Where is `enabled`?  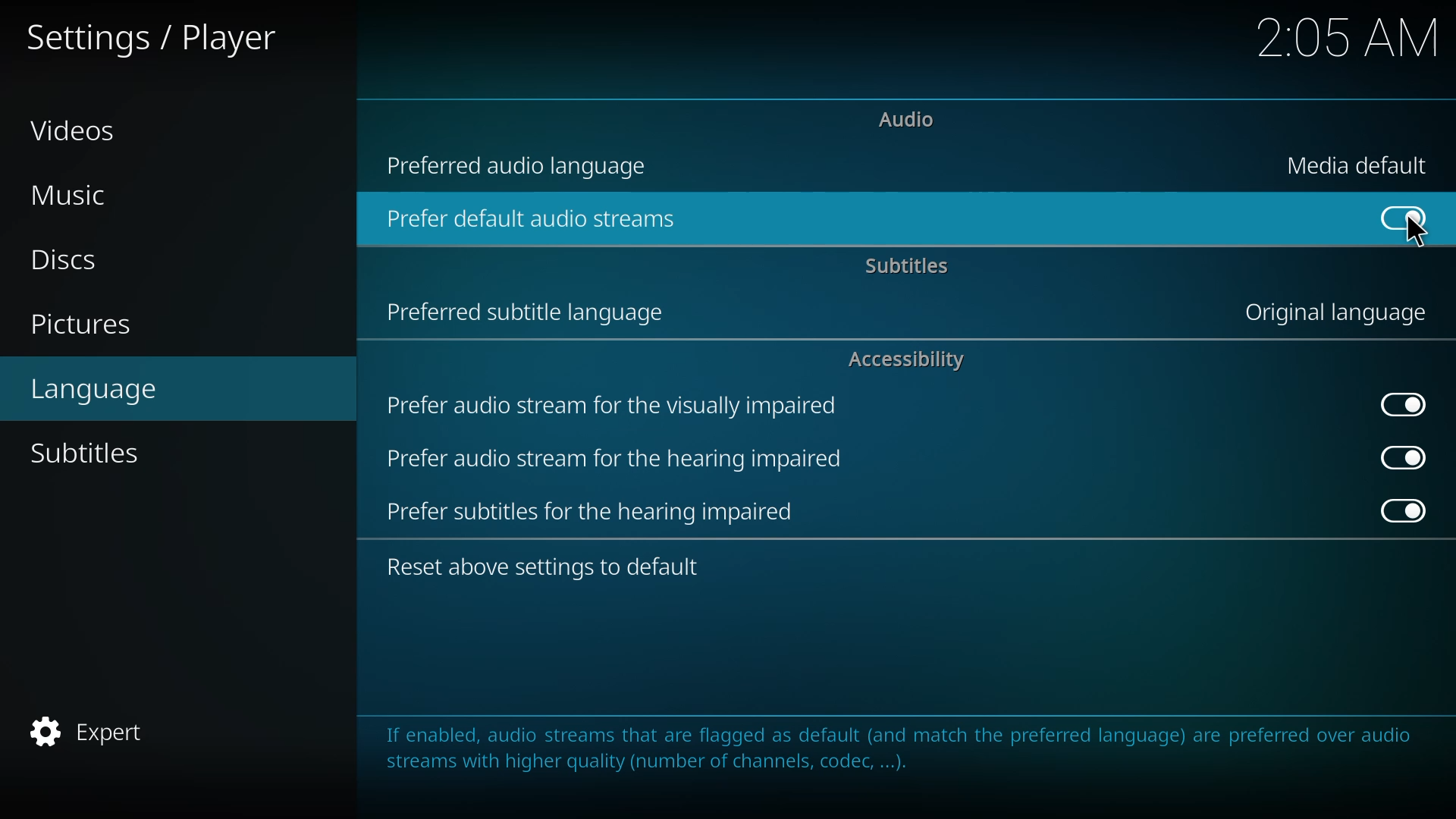
enabled is located at coordinates (1401, 457).